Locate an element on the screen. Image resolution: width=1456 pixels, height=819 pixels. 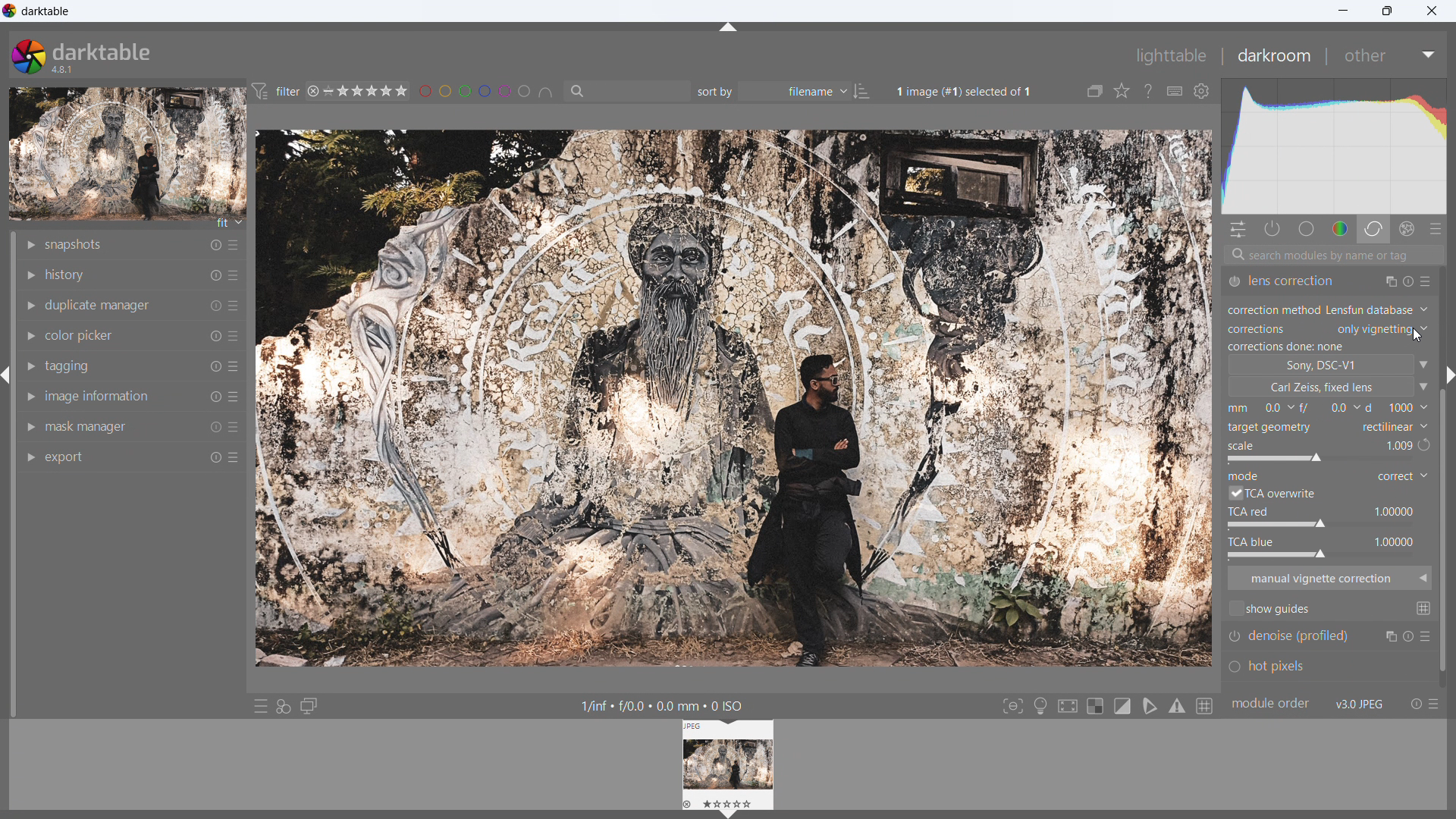
more options is located at coordinates (237, 400).